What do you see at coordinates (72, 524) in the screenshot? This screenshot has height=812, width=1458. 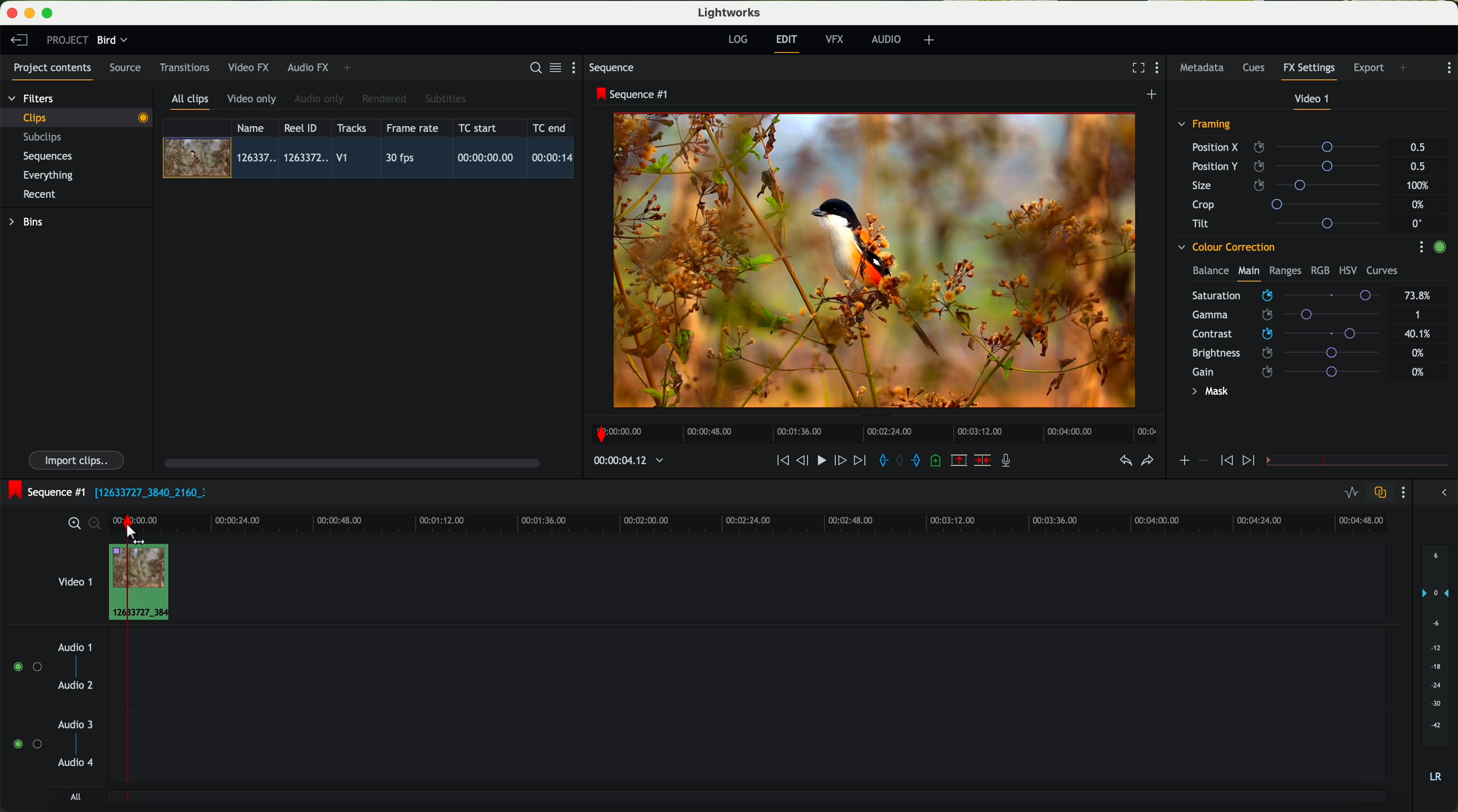 I see `zoom in` at bounding box center [72, 524].